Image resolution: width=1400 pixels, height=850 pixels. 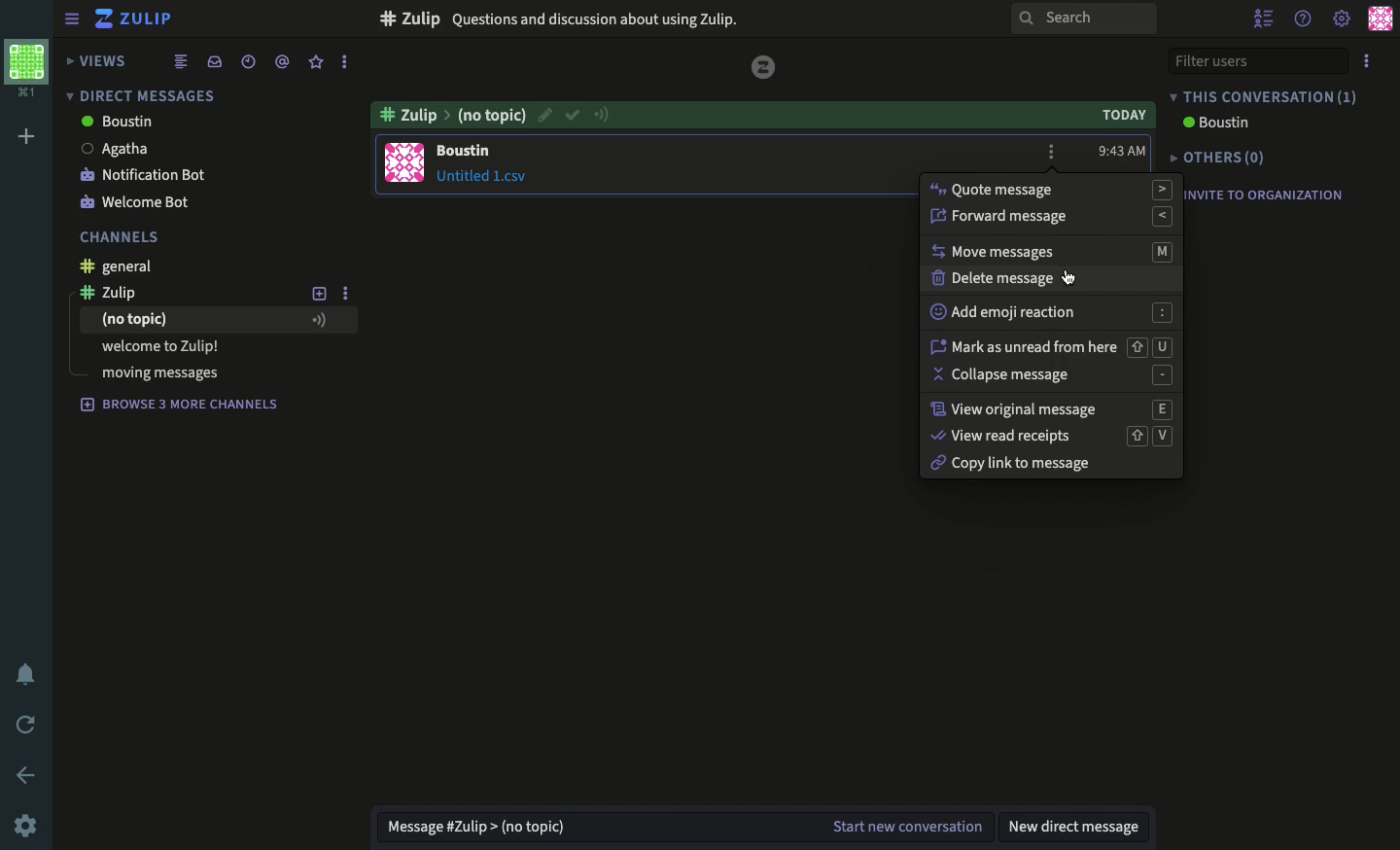 I want to click on move message, so click(x=1054, y=251).